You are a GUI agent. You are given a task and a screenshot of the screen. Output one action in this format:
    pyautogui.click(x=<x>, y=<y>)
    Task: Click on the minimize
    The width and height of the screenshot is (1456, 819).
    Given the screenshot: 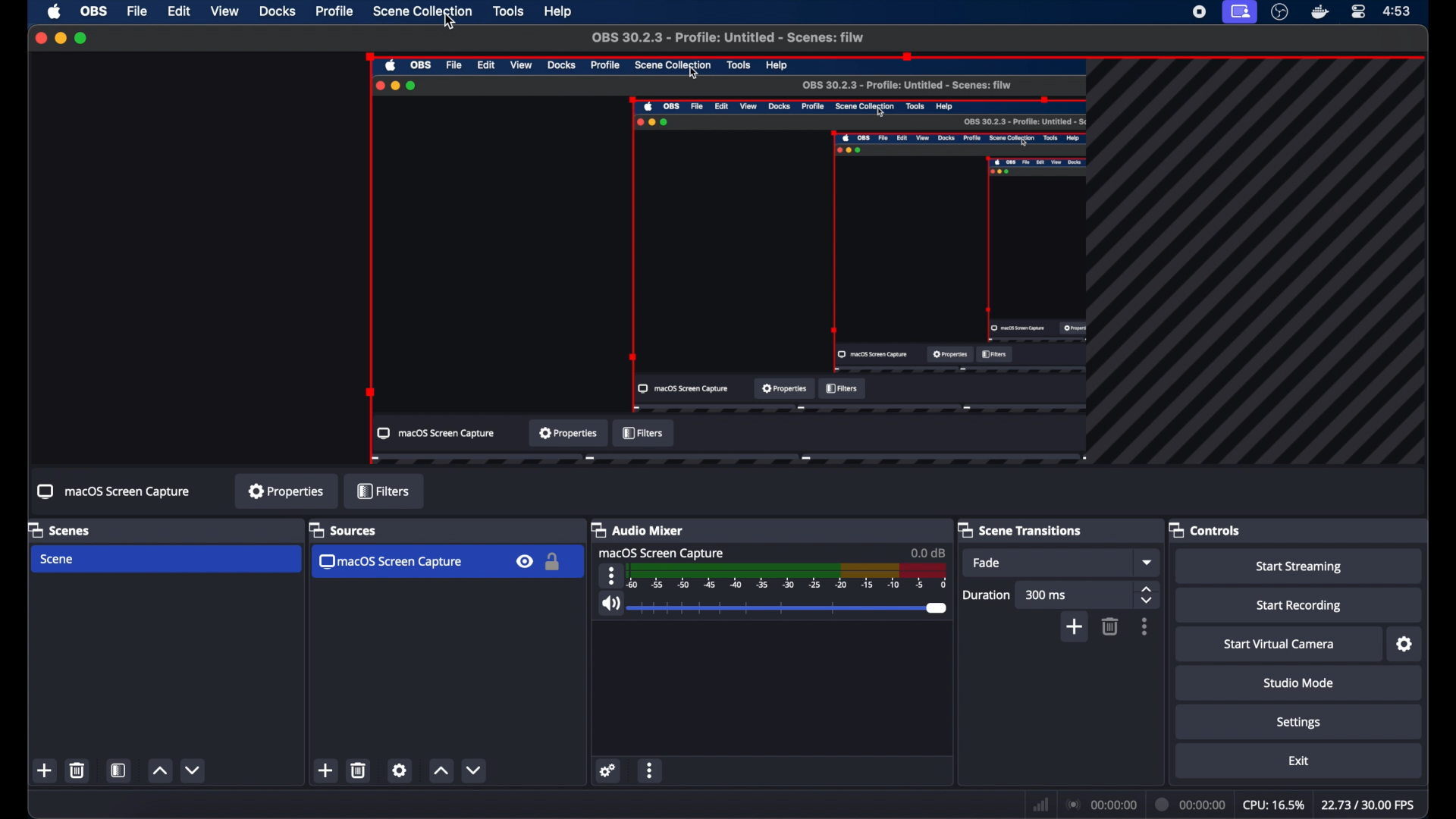 What is the action you would take?
    pyautogui.click(x=61, y=38)
    